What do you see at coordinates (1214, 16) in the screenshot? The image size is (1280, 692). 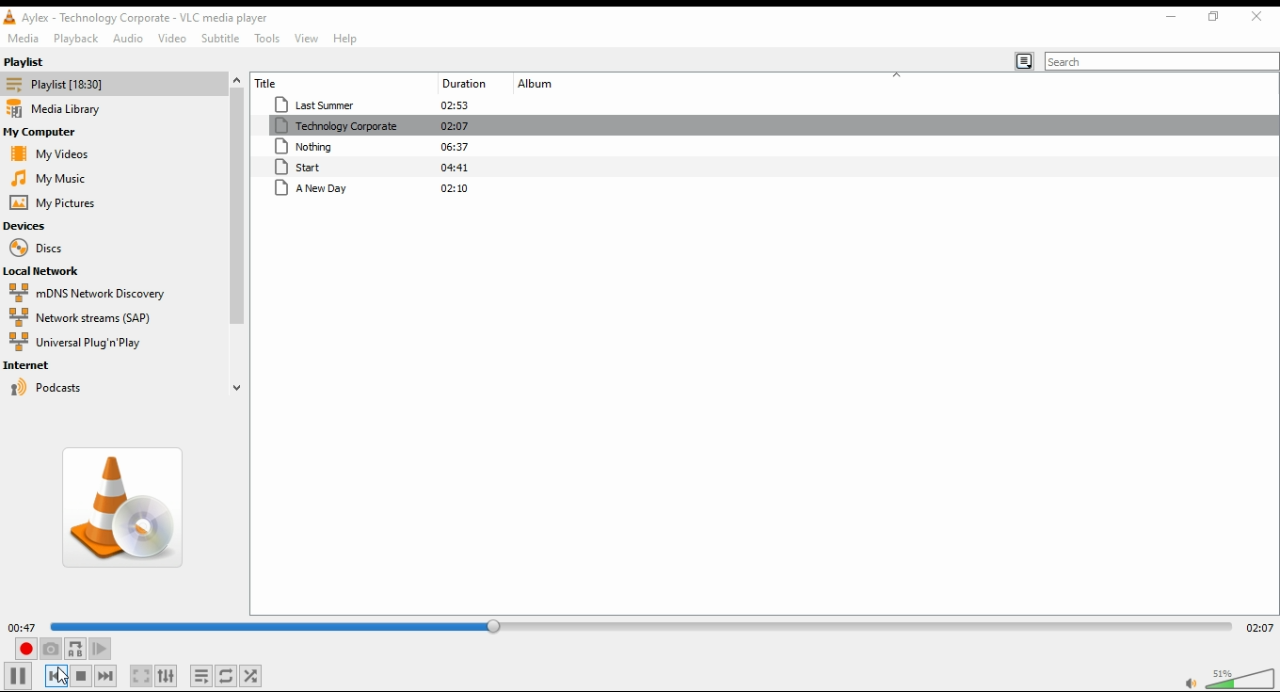 I see `restore` at bounding box center [1214, 16].